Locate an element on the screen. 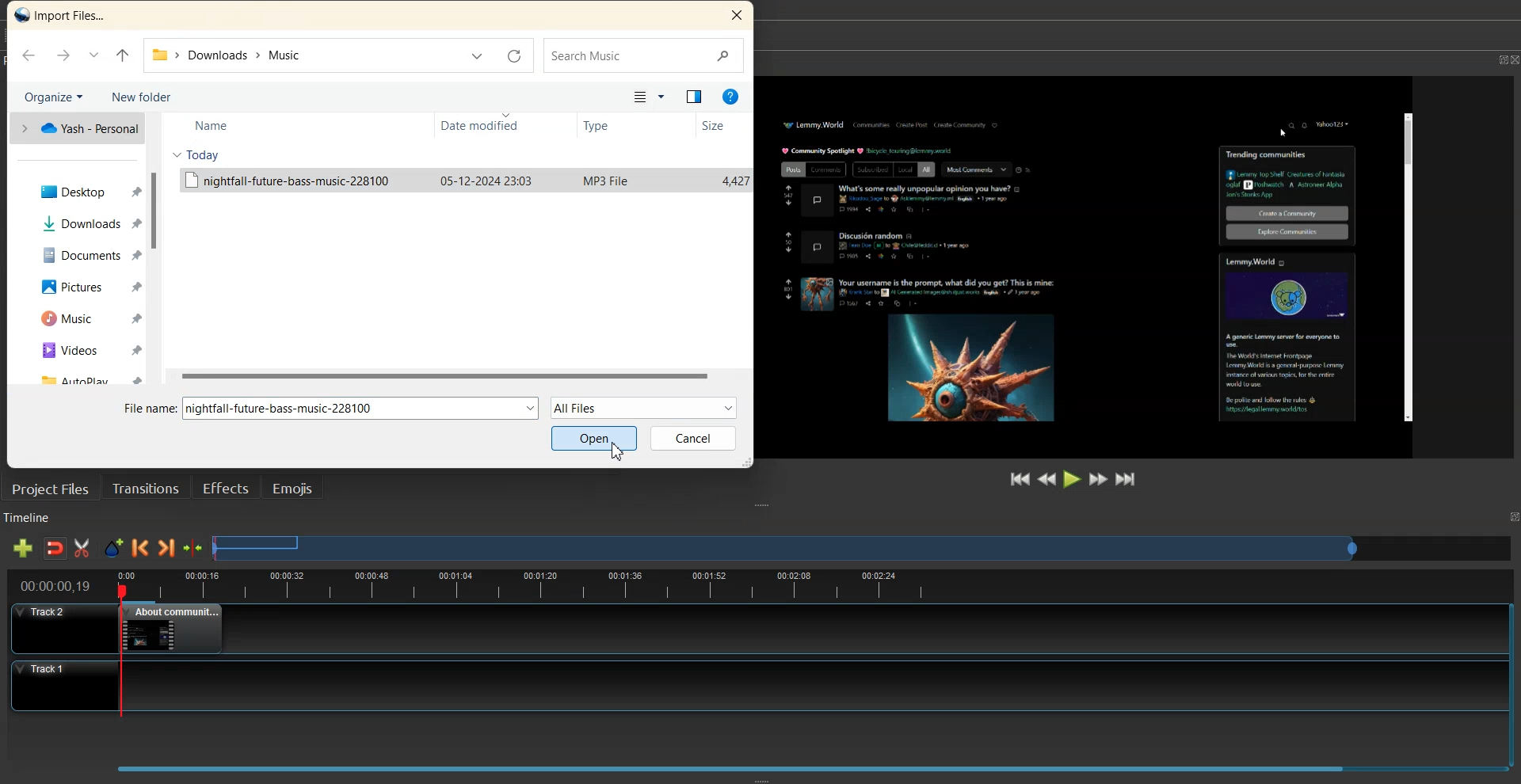 Image resolution: width=1521 pixels, height=784 pixels. Jump to Start is located at coordinates (1021, 479).